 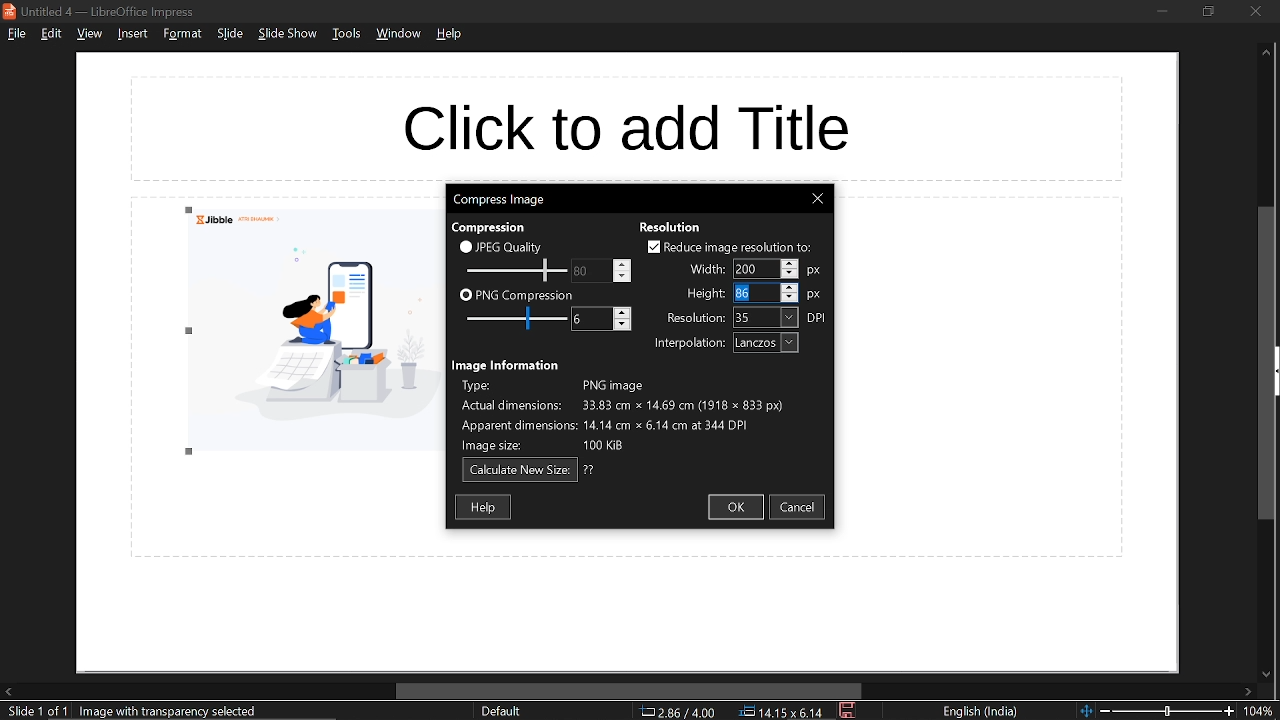 What do you see at coordinates (702, 268) in the screenshot?
I see `width` at bounding box center [702, 268].